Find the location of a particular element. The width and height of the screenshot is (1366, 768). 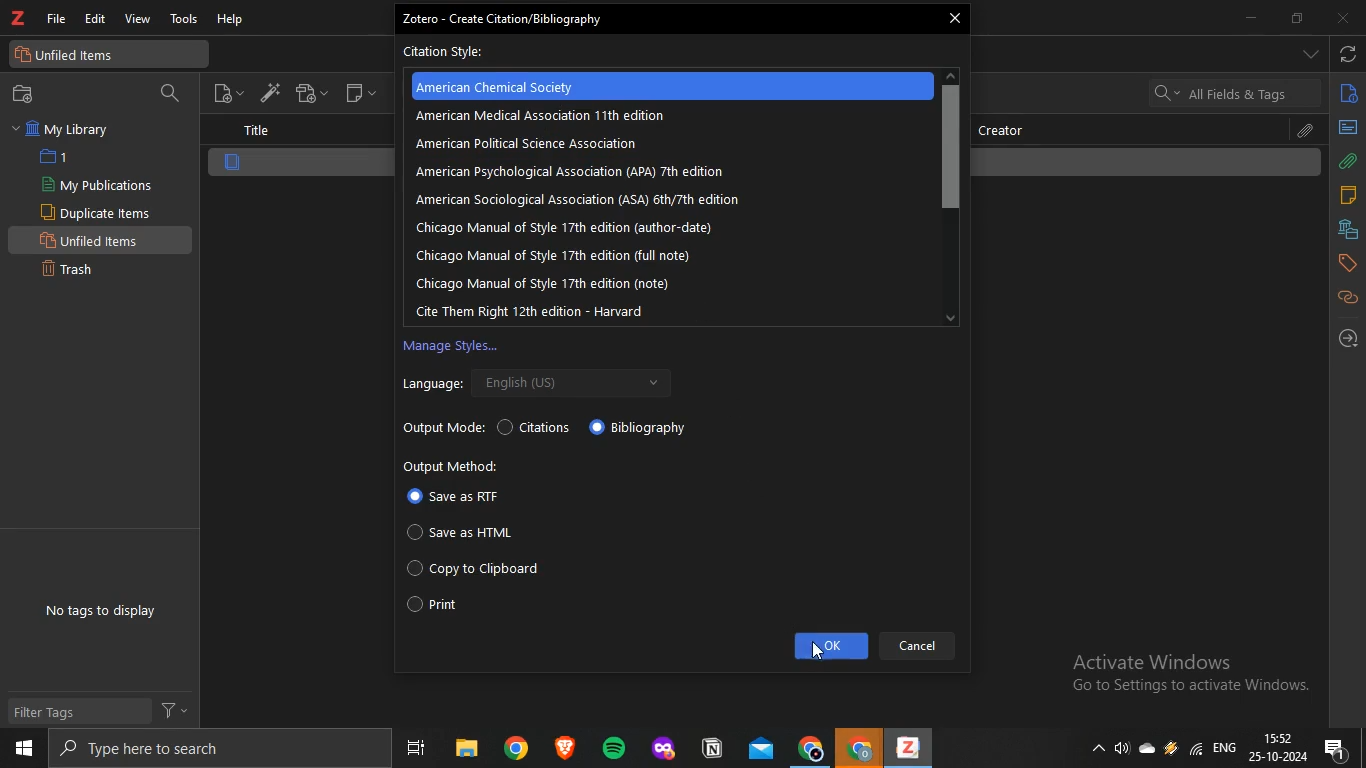

related is located at coordinates (1347, 298).